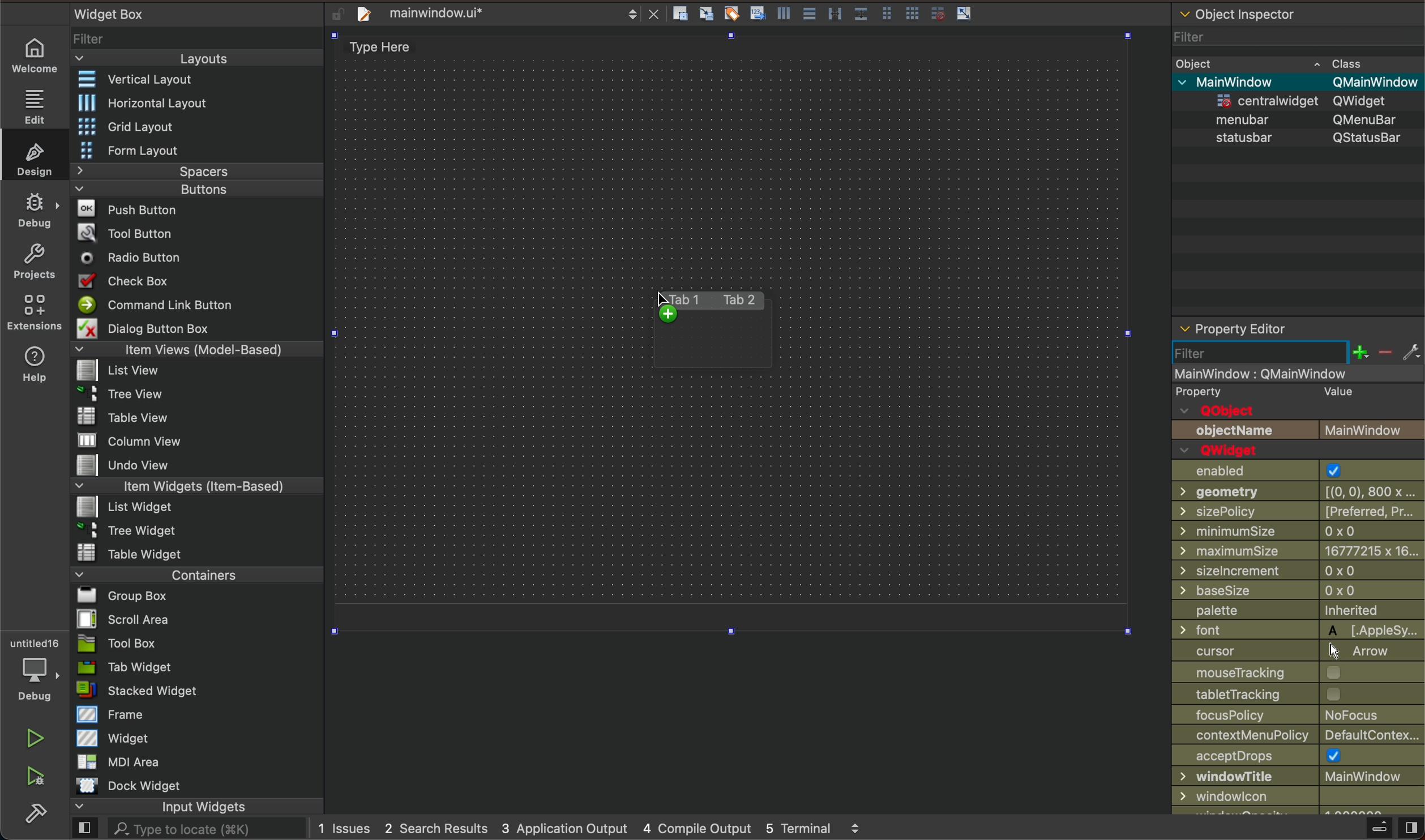 The width and height of the screenshot is (1425, 840). What do you see at coordinates (131, 151) in the screenshot?
I see ` Form Layout` at bounding box center [131, 151].